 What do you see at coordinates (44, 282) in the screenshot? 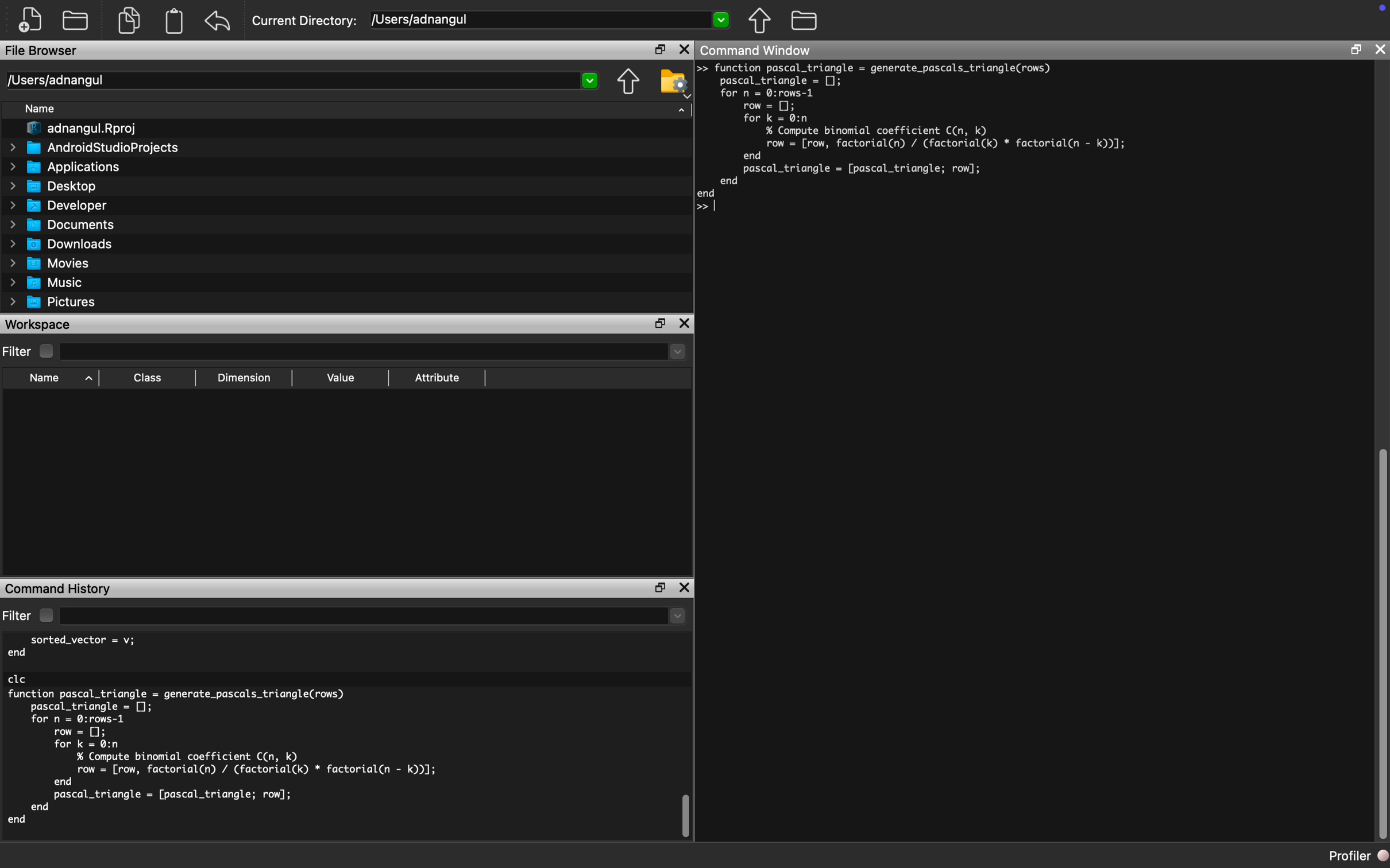
I see `Music` at bounding box center [44, 282].